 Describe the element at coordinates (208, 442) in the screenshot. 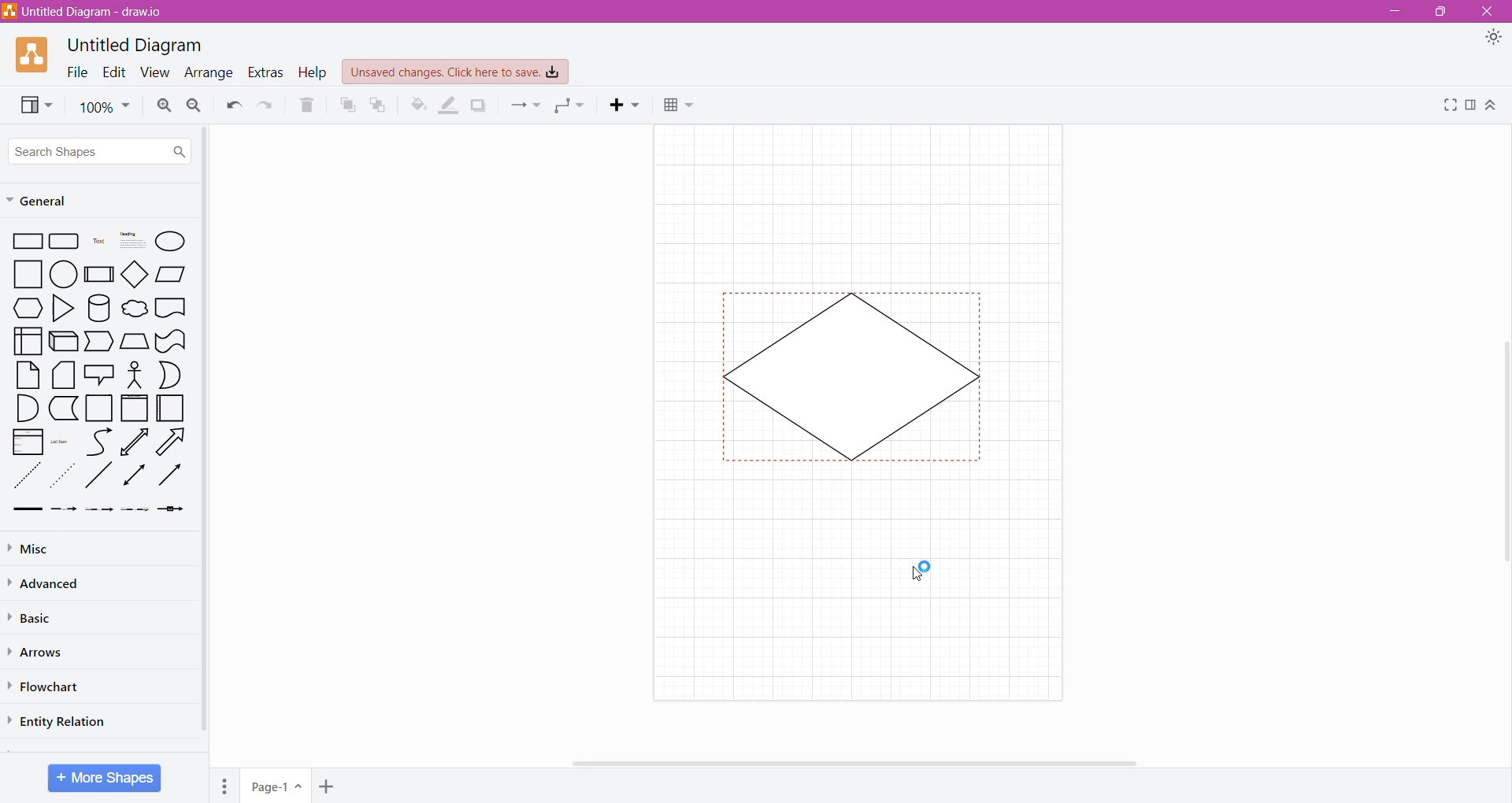

I see `Vertical Scroll Bar` at that location.